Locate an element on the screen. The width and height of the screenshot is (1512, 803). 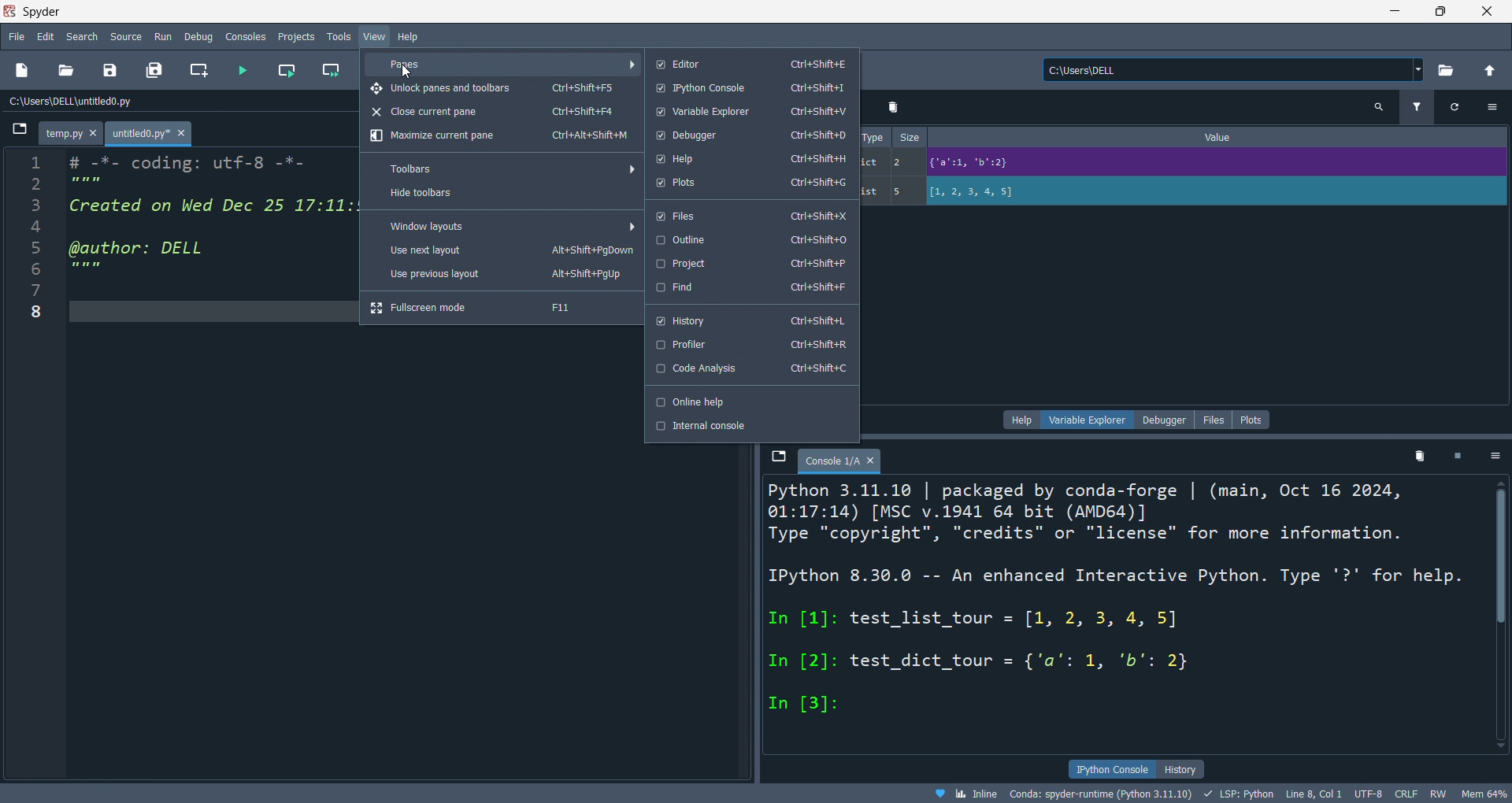
variable value is located at coordinates (1214, 193).